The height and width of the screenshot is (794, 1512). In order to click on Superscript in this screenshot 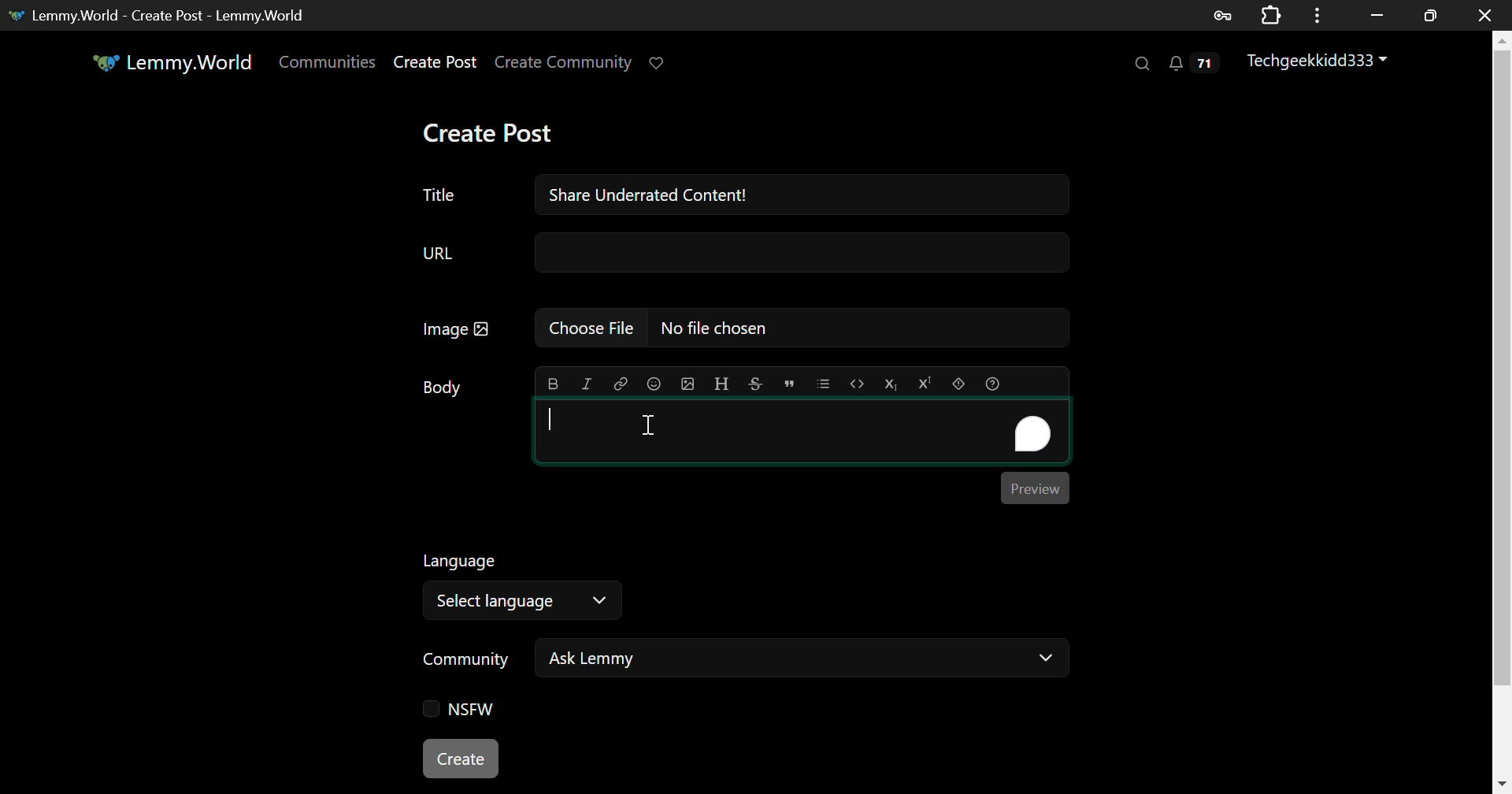, I will do `click(923, 382)`.